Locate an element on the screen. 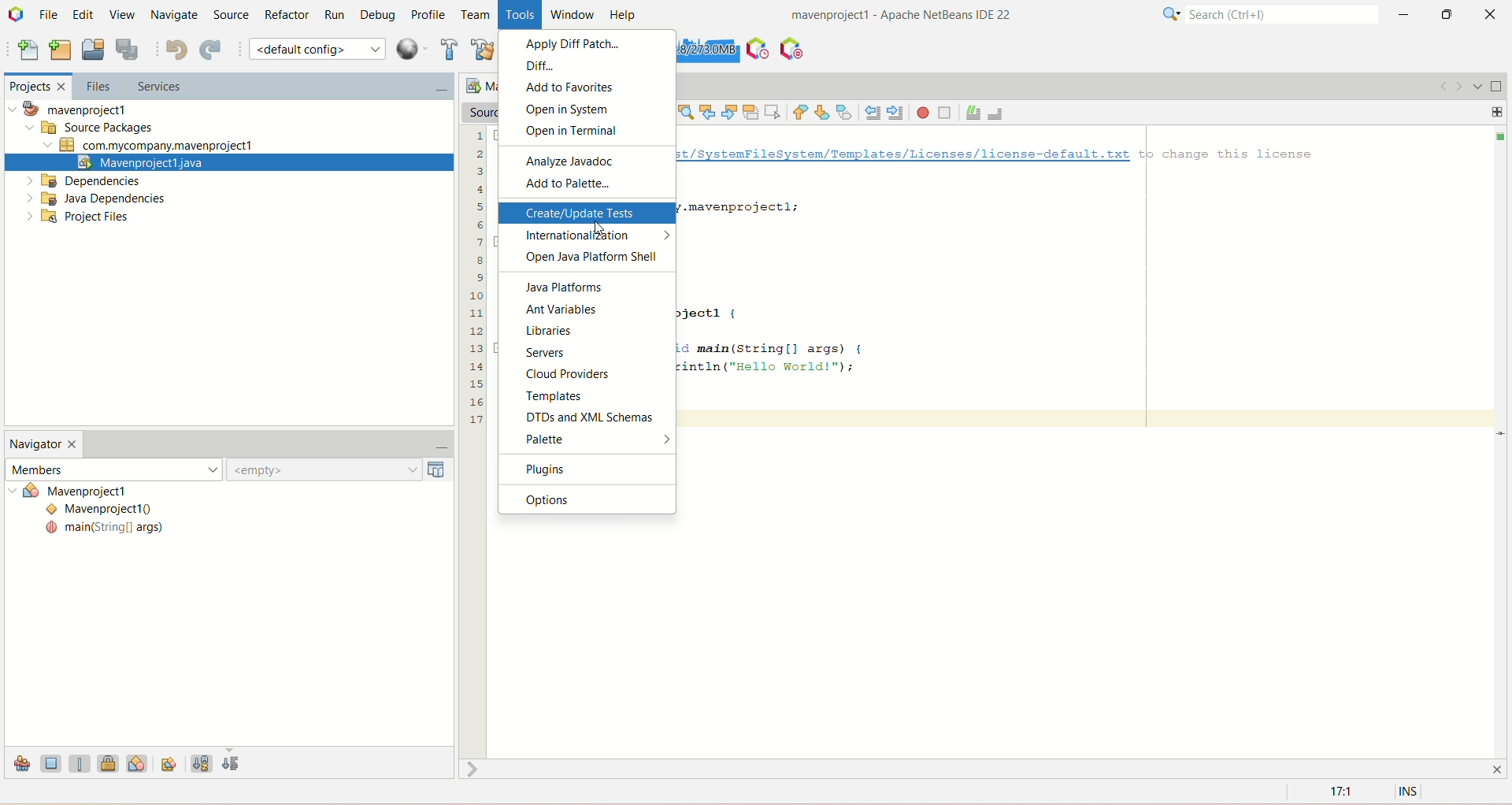 Image resolution: width=1512 pixels, height=805 pixels. show opened document list is located at coordinates (1477, 85).